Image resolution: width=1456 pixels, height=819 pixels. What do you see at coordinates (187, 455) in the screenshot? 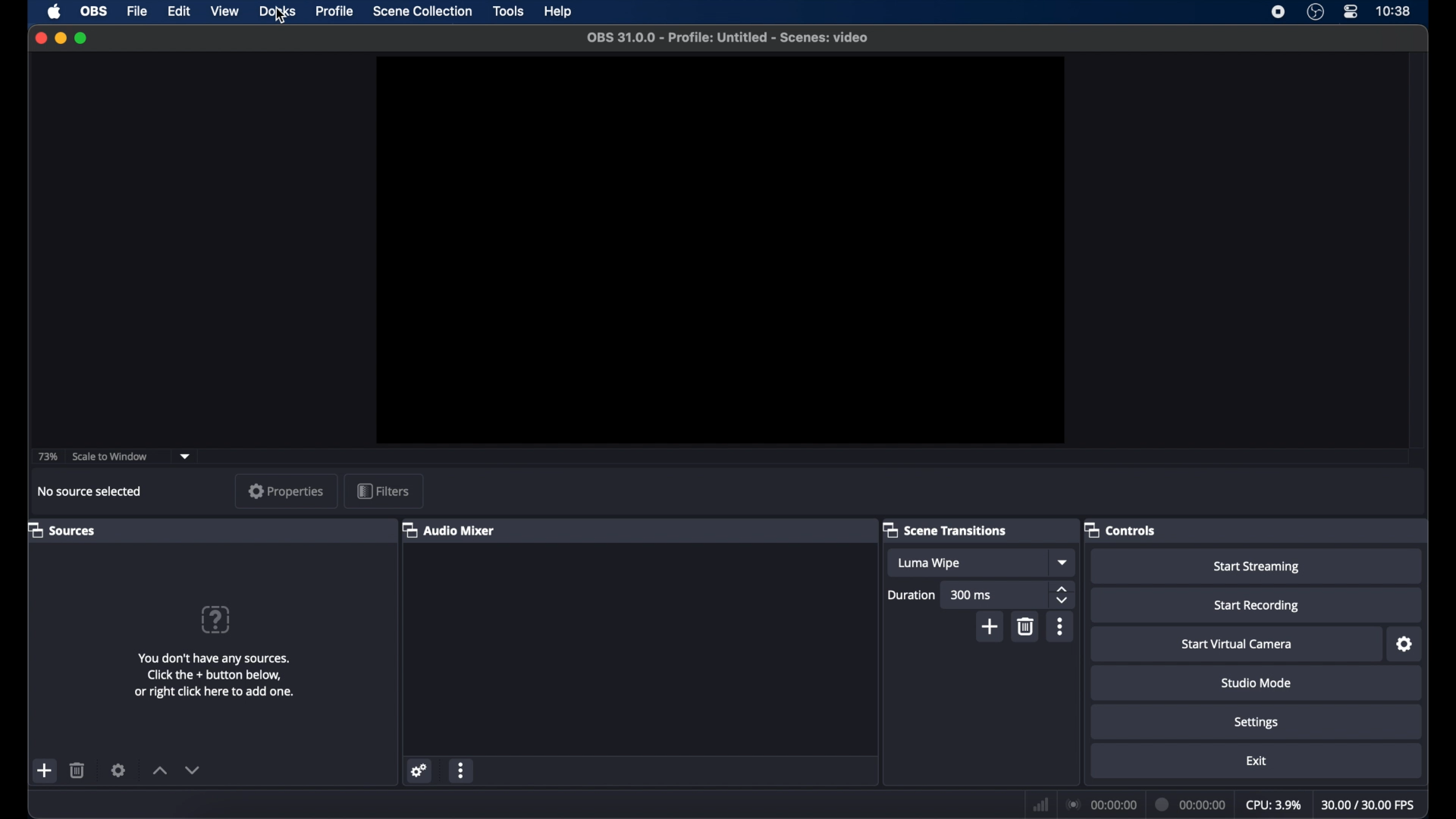
I see `dropdown ` at bounding box center [187, 455].